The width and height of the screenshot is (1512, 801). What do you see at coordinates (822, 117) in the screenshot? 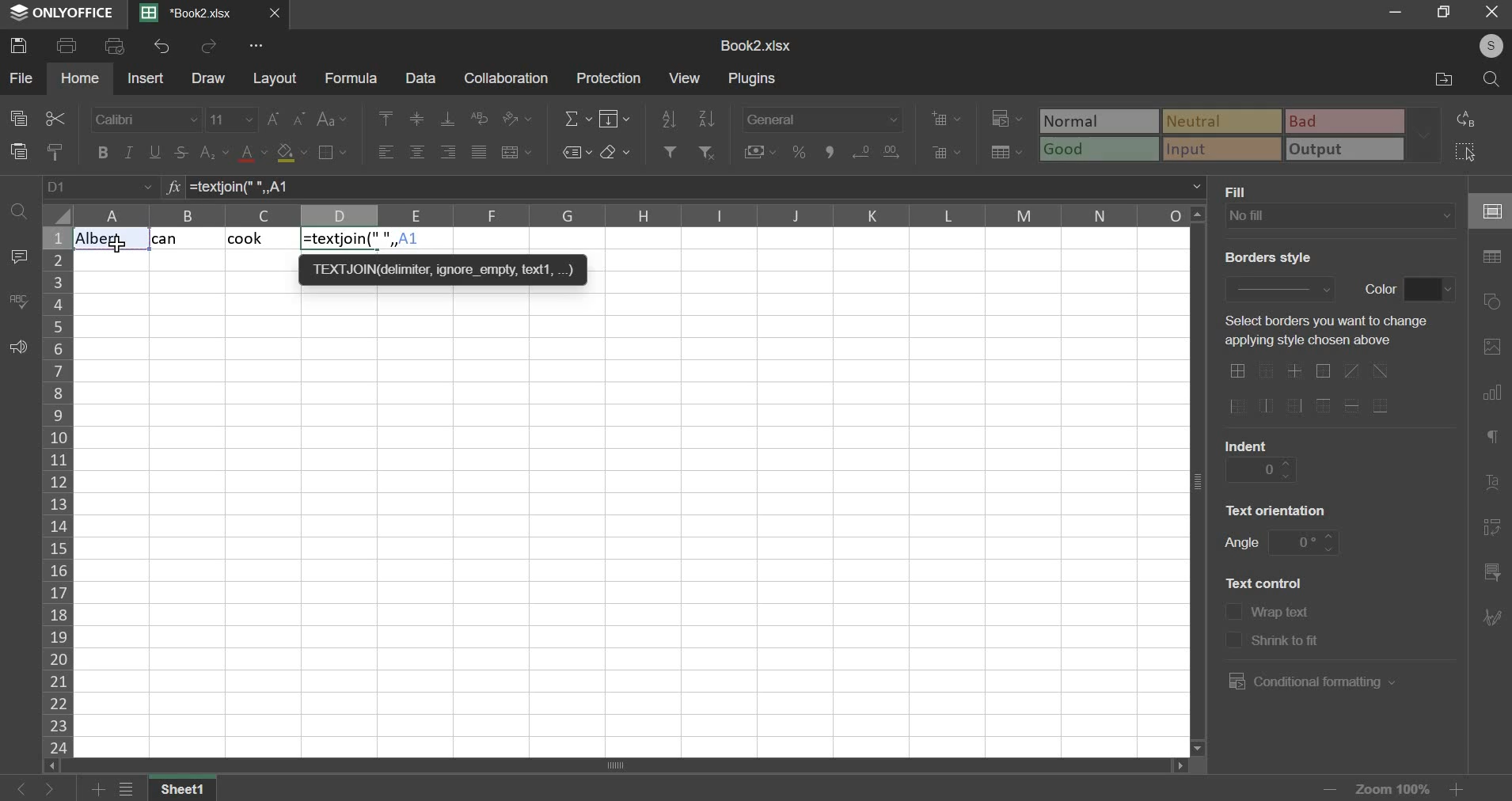
I see `number format` at bounding box center [822, 117].